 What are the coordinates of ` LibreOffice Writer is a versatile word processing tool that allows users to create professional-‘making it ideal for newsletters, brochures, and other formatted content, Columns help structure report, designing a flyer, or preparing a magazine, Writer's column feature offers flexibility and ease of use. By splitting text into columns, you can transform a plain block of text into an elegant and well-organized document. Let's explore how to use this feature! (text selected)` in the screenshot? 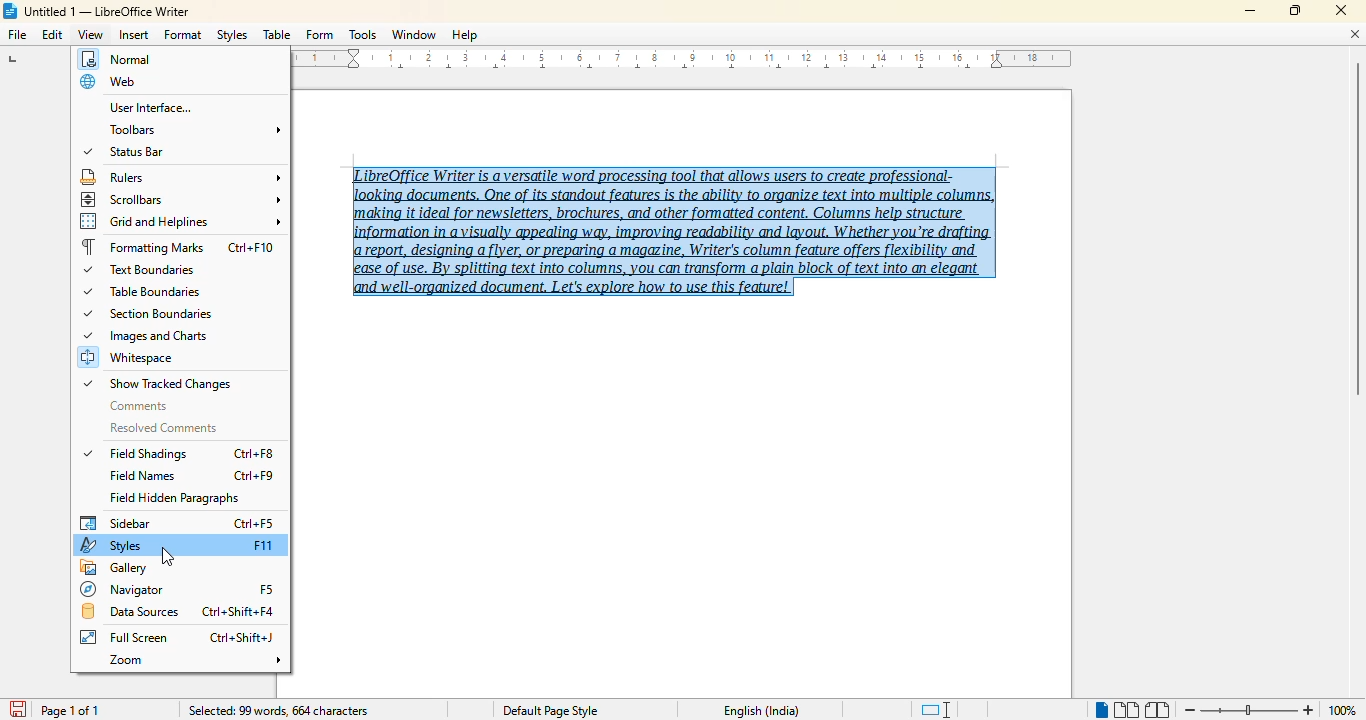 It's located at (676, 236).